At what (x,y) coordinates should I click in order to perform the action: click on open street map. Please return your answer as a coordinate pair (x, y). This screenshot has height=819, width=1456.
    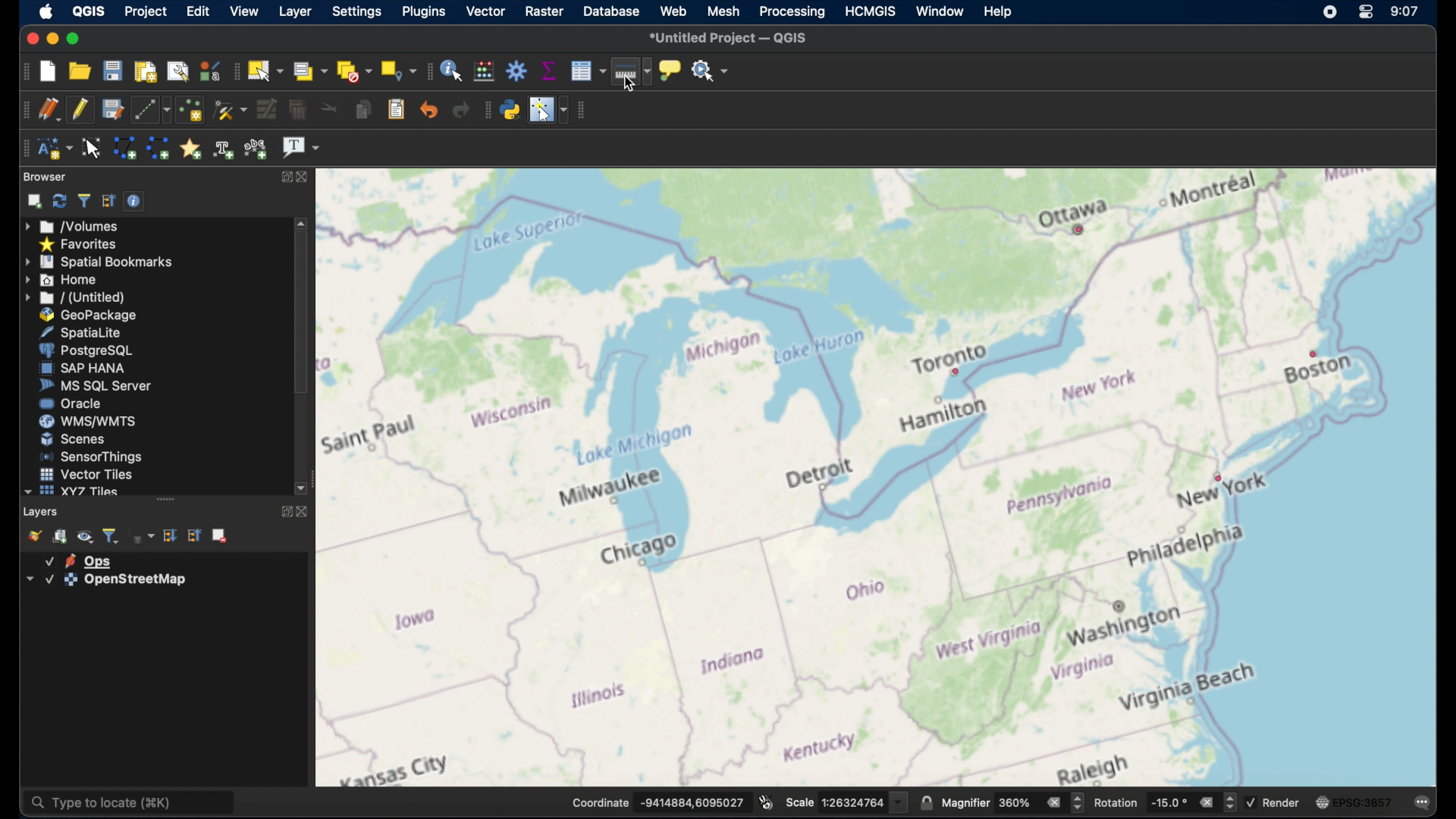
    Looking at the image, I should click on (1179, 303).